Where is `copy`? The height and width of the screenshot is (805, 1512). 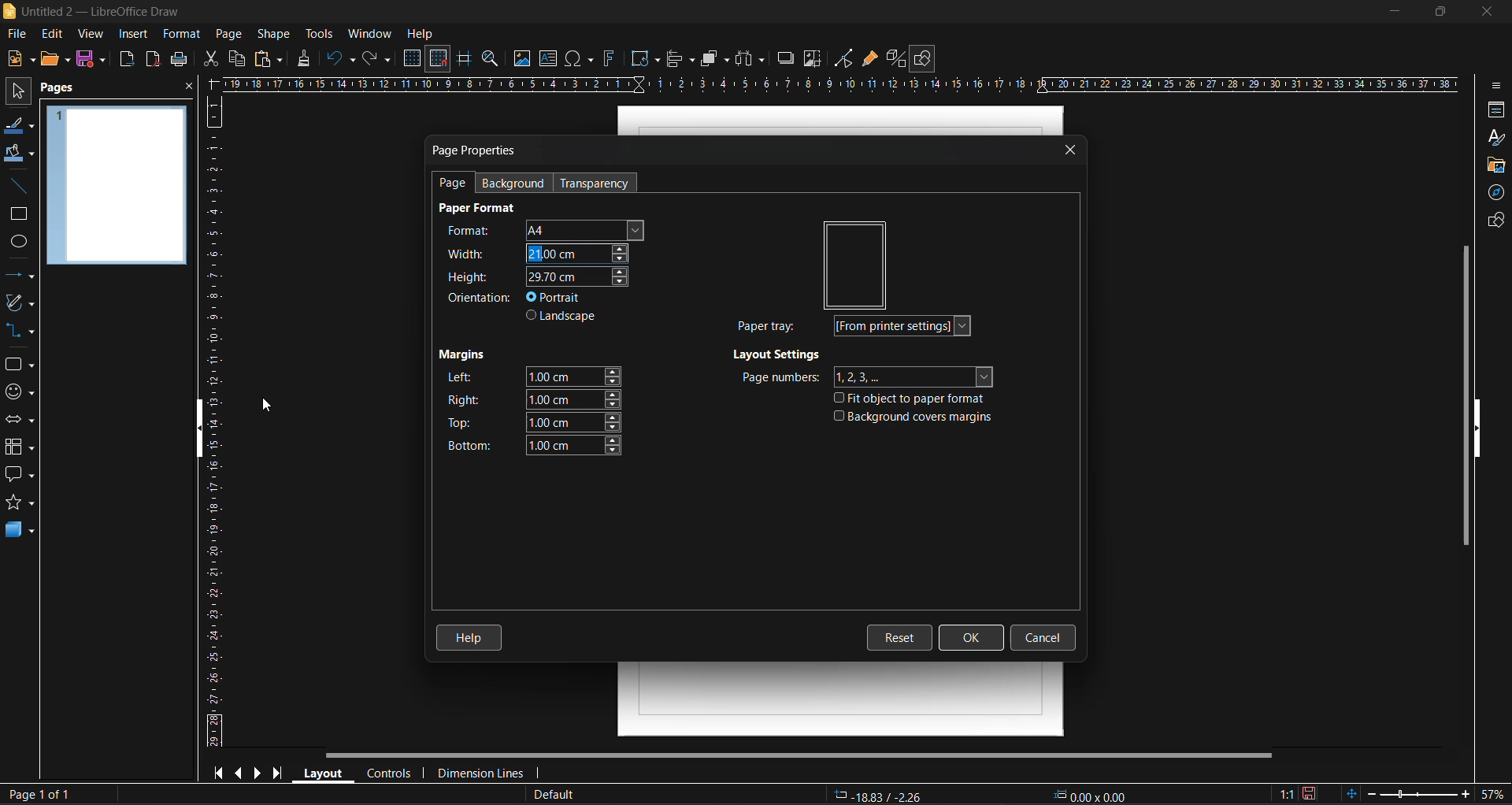
copy is located at coordinates (236, 59).